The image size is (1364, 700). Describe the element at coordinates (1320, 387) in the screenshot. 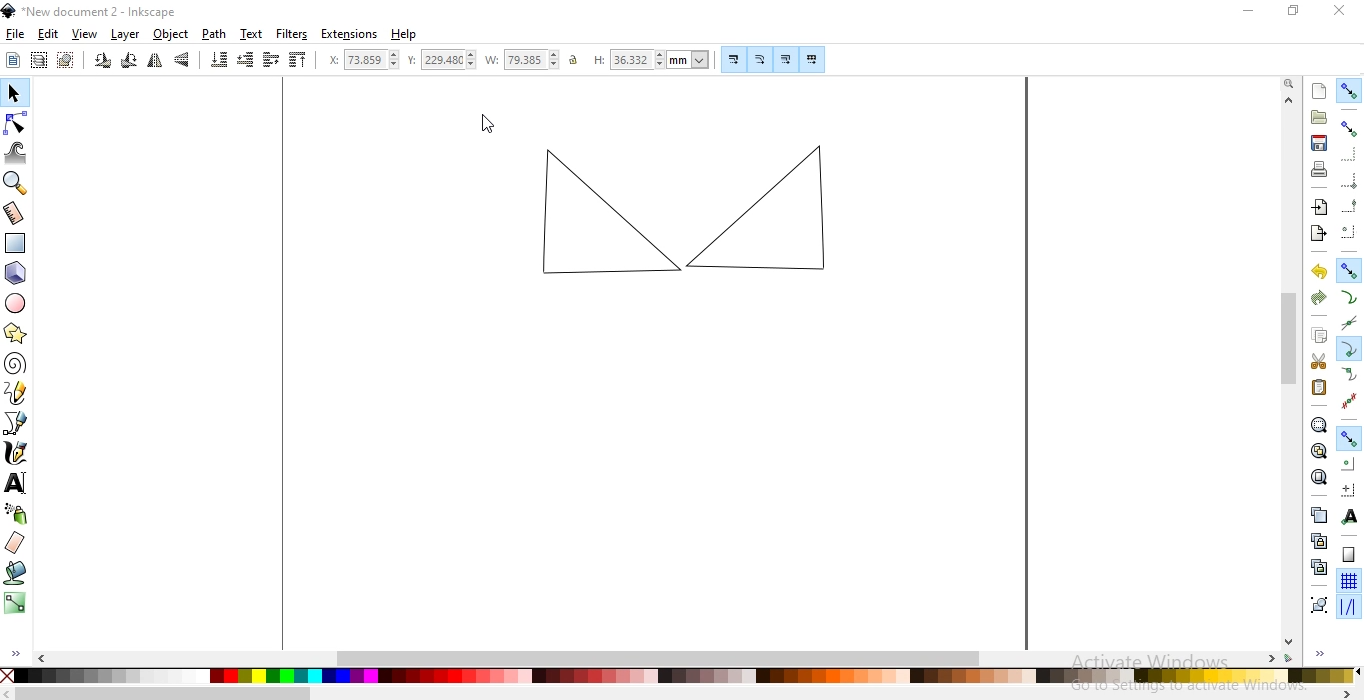

I see `paste` at that location.